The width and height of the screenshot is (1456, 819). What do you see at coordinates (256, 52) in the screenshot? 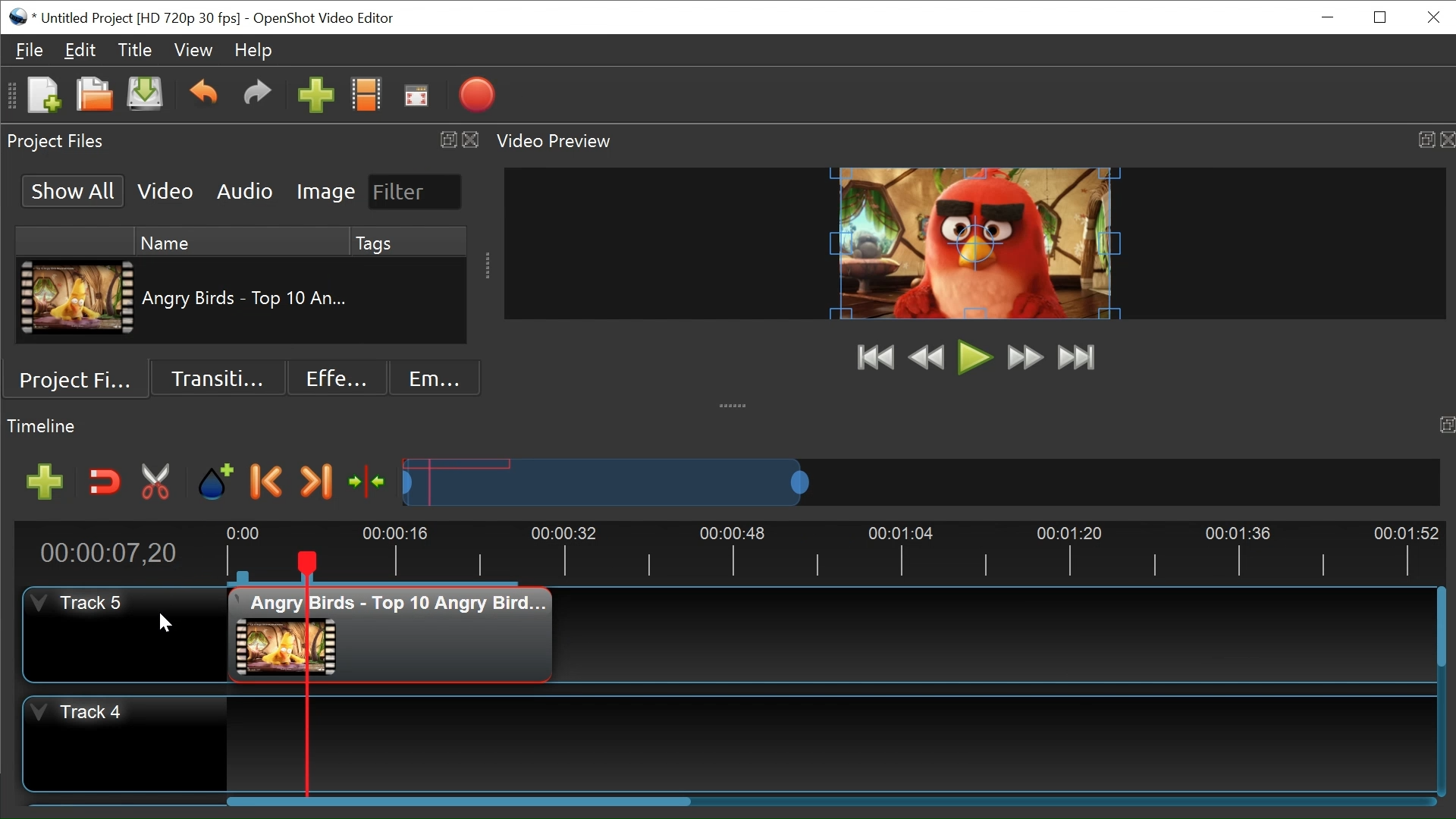
I see `Help` at bounding box center [256, 52].